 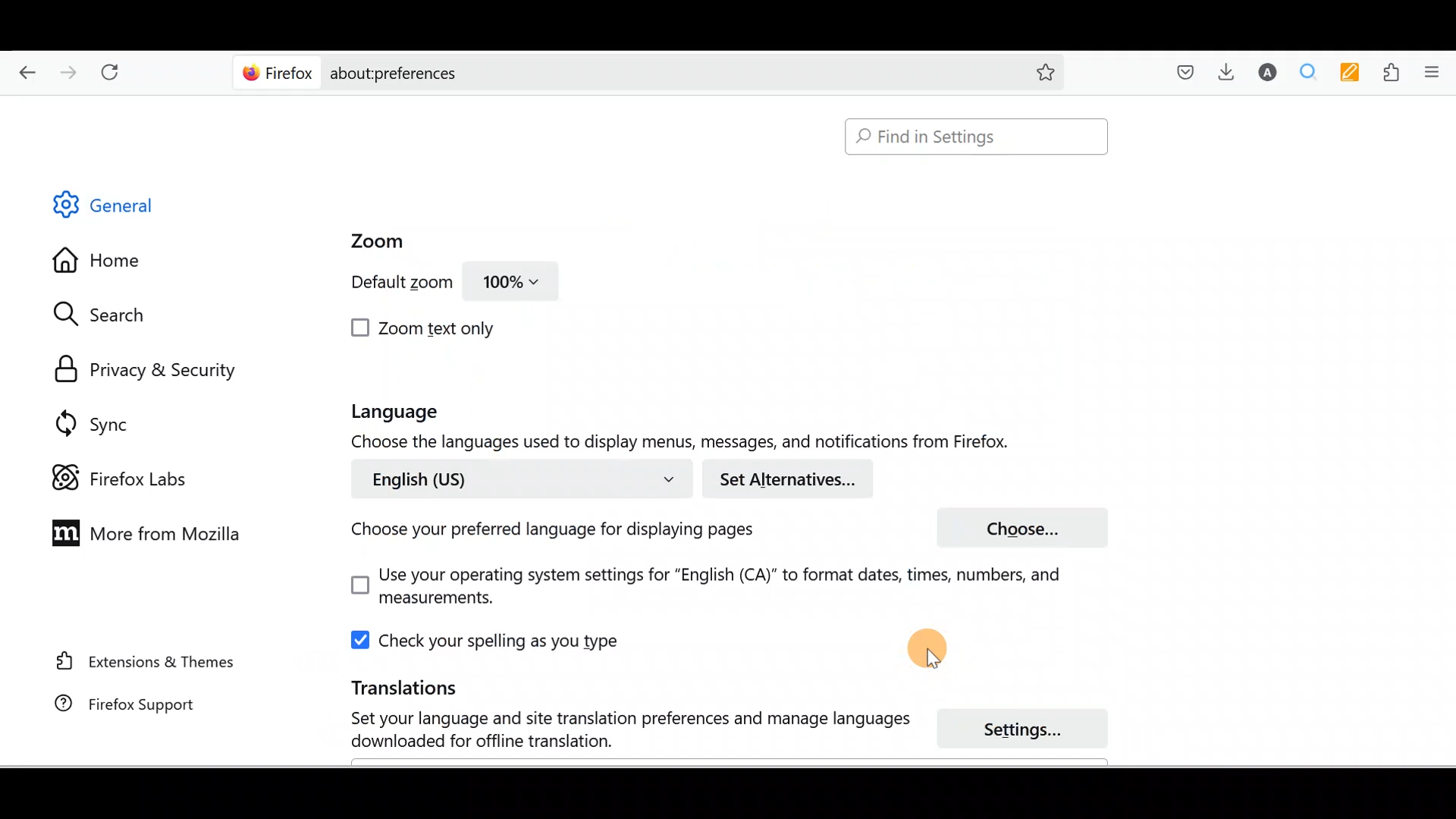 I want to click on about:preferences, so click(x=605, y=71).